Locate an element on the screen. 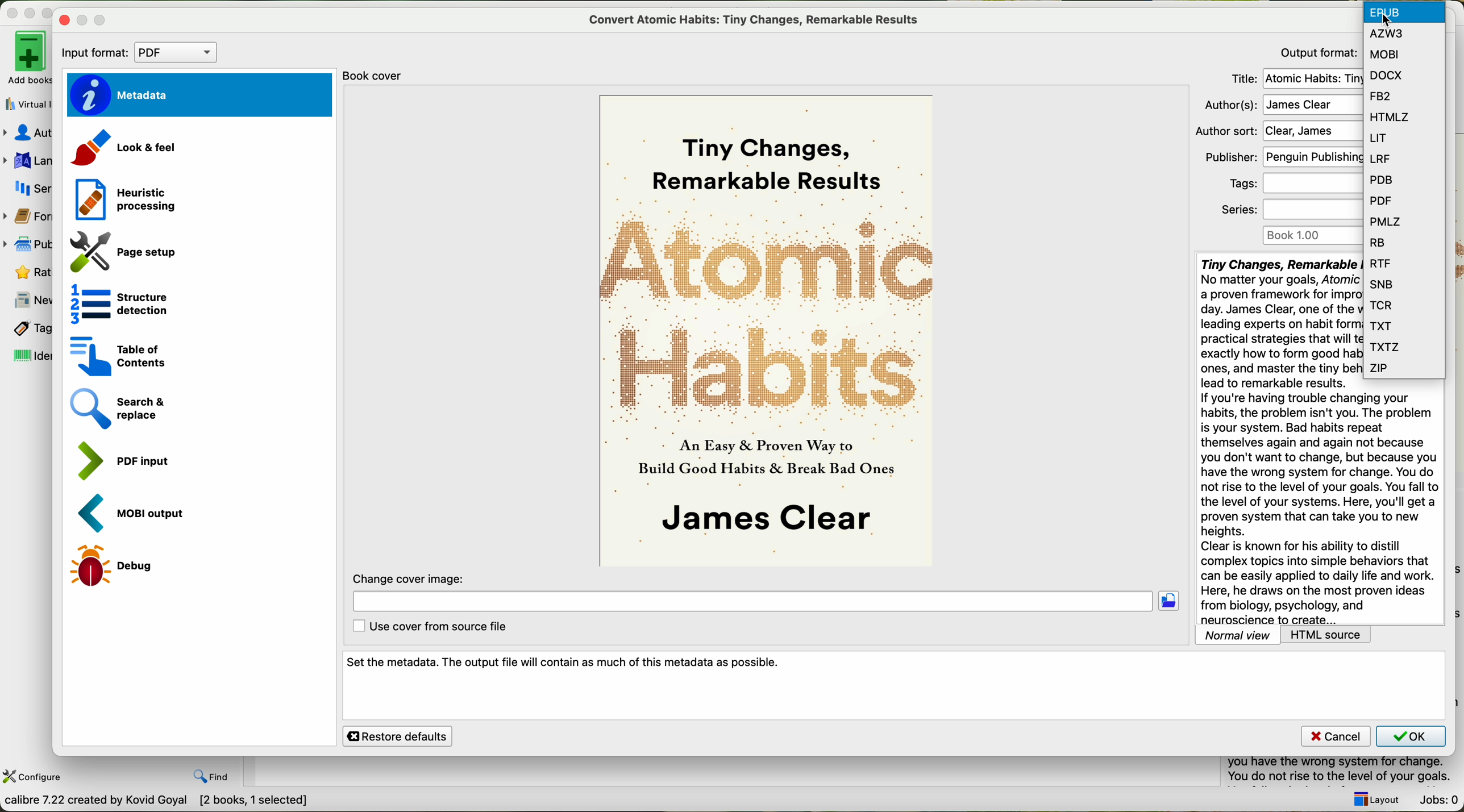  TCR is located at coordinates (1404, 304).